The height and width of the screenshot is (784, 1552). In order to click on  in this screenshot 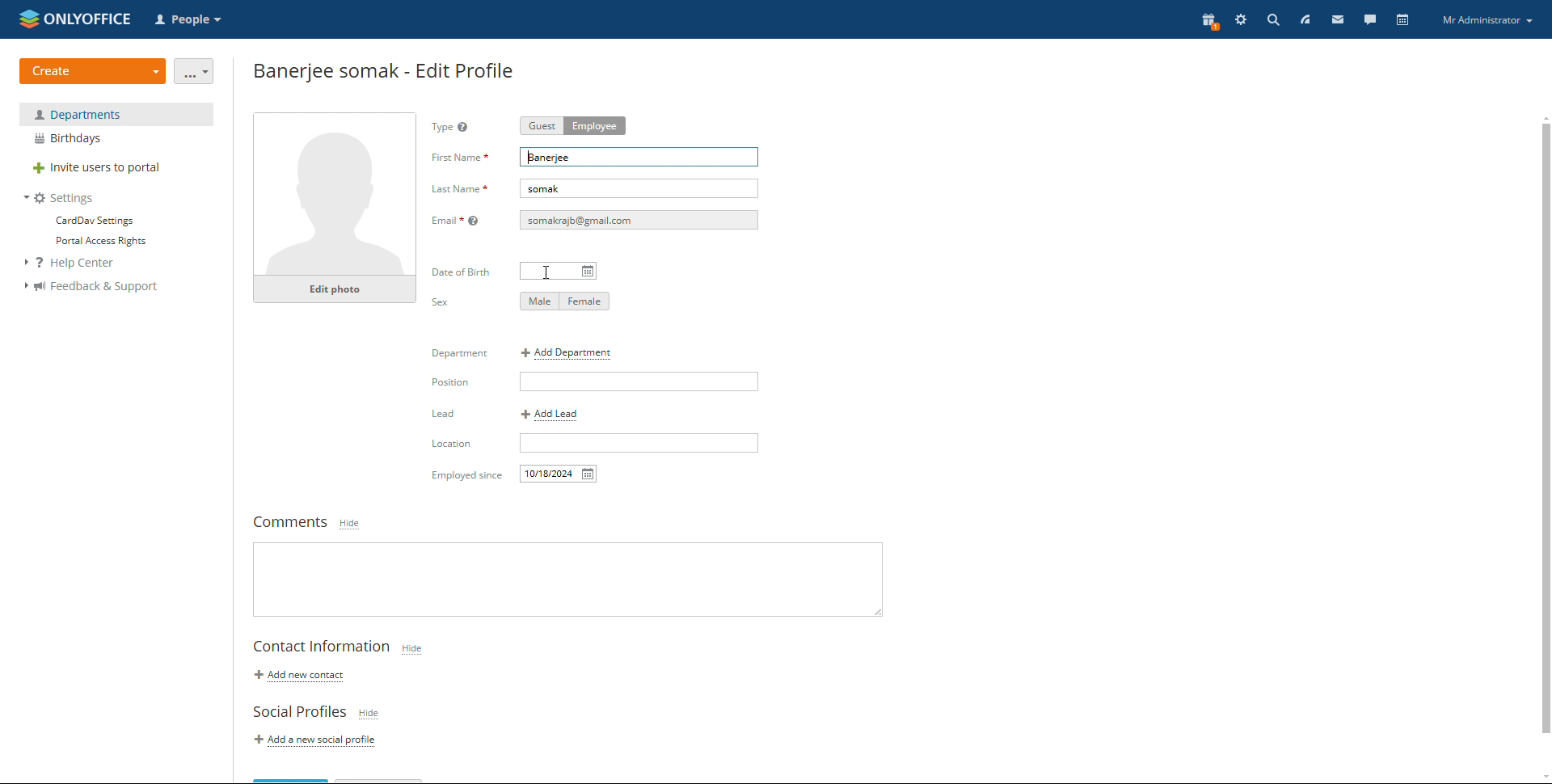, I will do `click(462, 476)`.